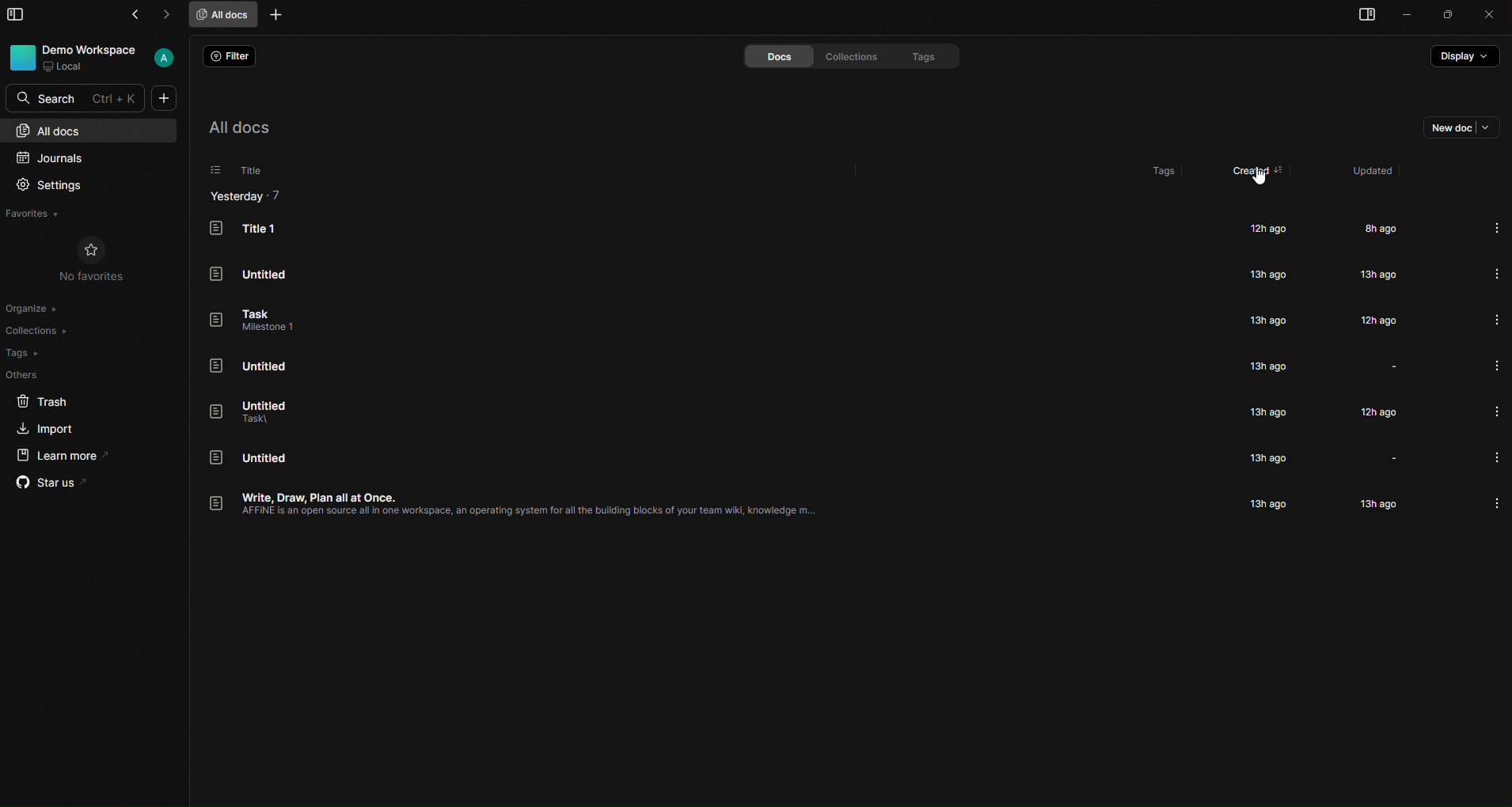 The width and height of the screenshot is (1512, 807). What do you see at coordinates (1374, 320) in the screenshot?
I see `12h ago` at bounding box center [1374, 320].